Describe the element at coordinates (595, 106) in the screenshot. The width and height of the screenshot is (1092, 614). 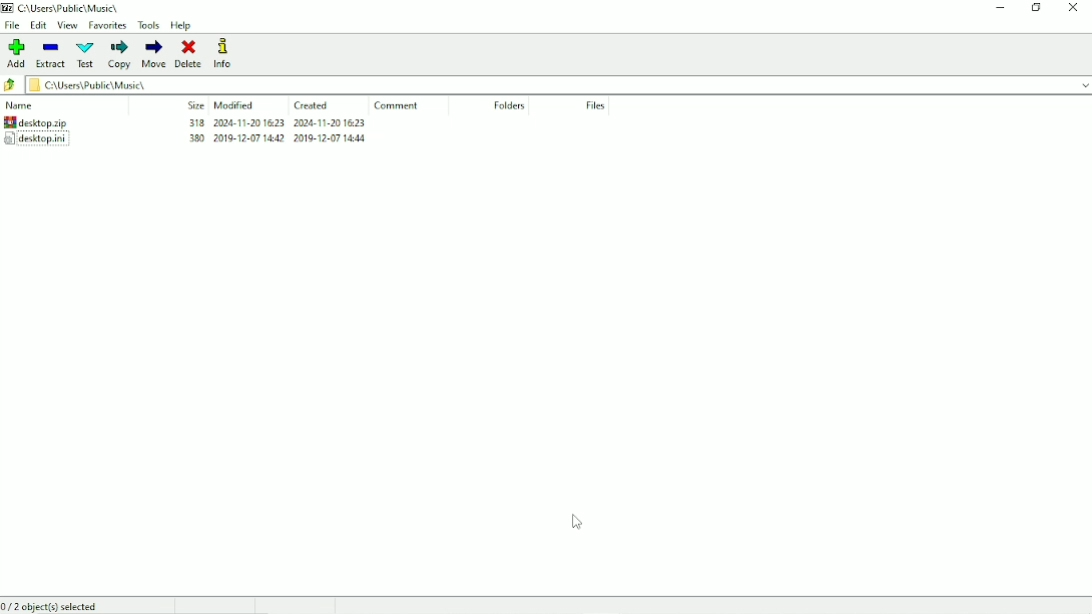
I see `Files` at that location.